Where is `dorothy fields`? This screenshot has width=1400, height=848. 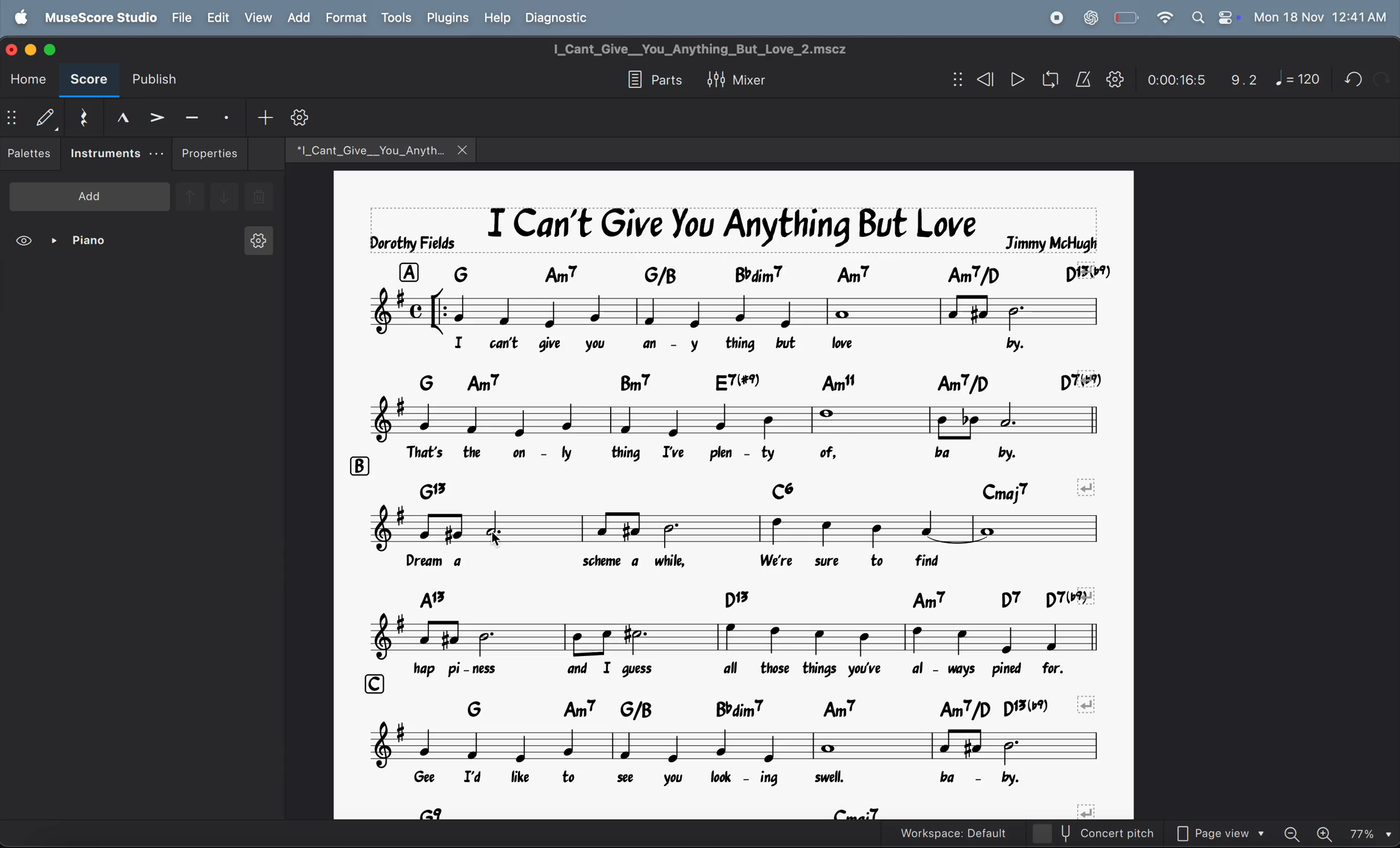 dorothy fields is located at coordinates (412, 244).